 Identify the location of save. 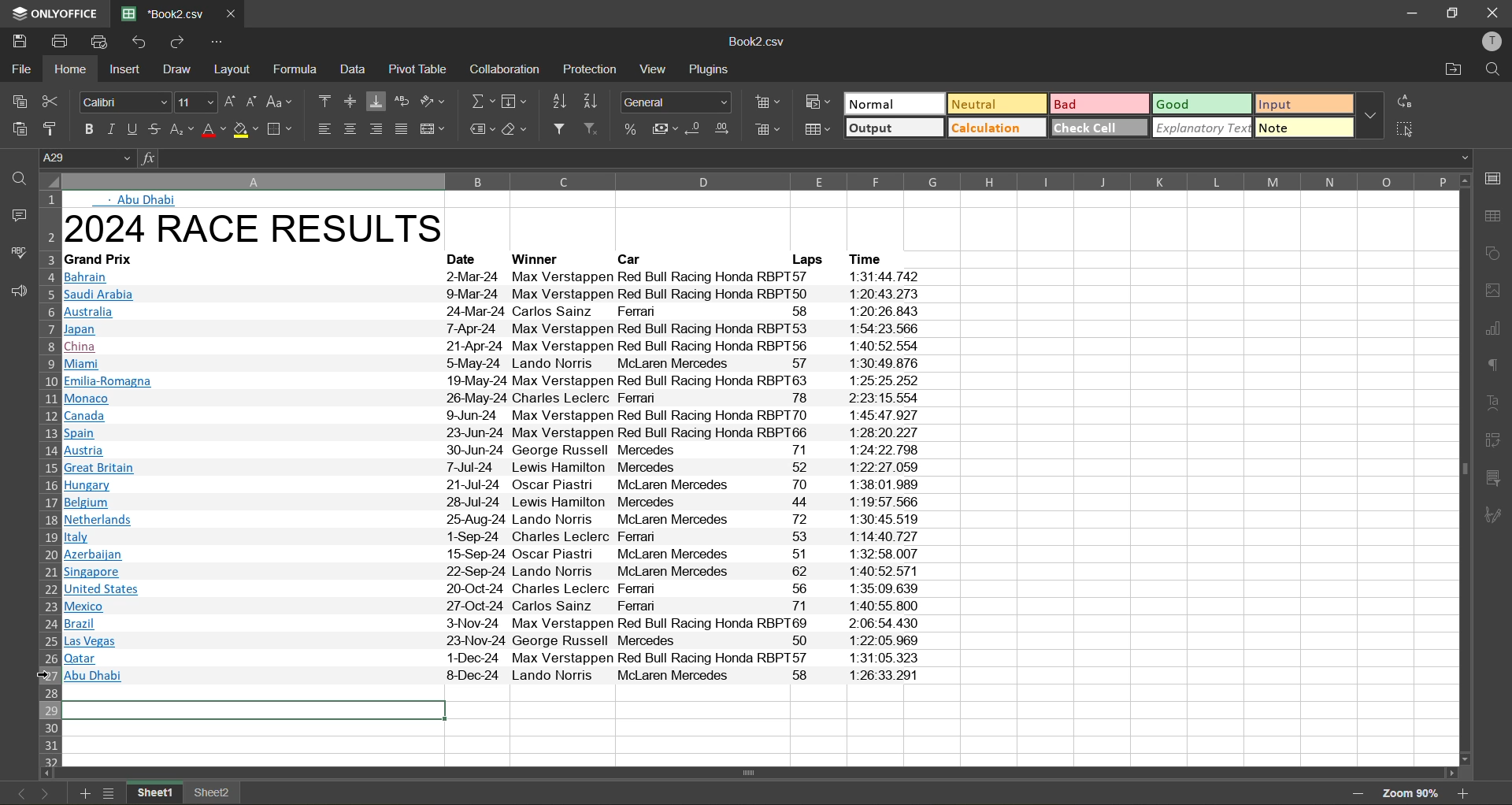
(20, 40).